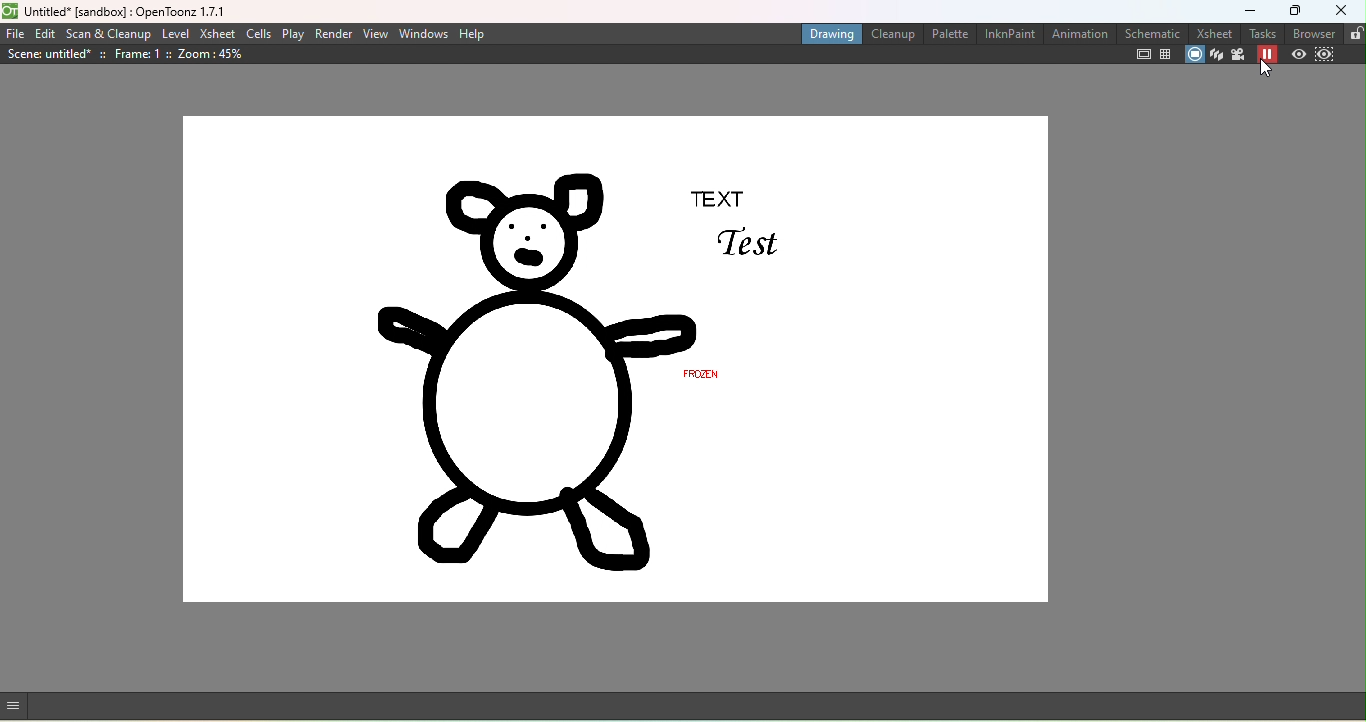  What do you see at coordinates (1216, 55) in the screenshot?
I see `3D view` at bounding box center [1216, 55].